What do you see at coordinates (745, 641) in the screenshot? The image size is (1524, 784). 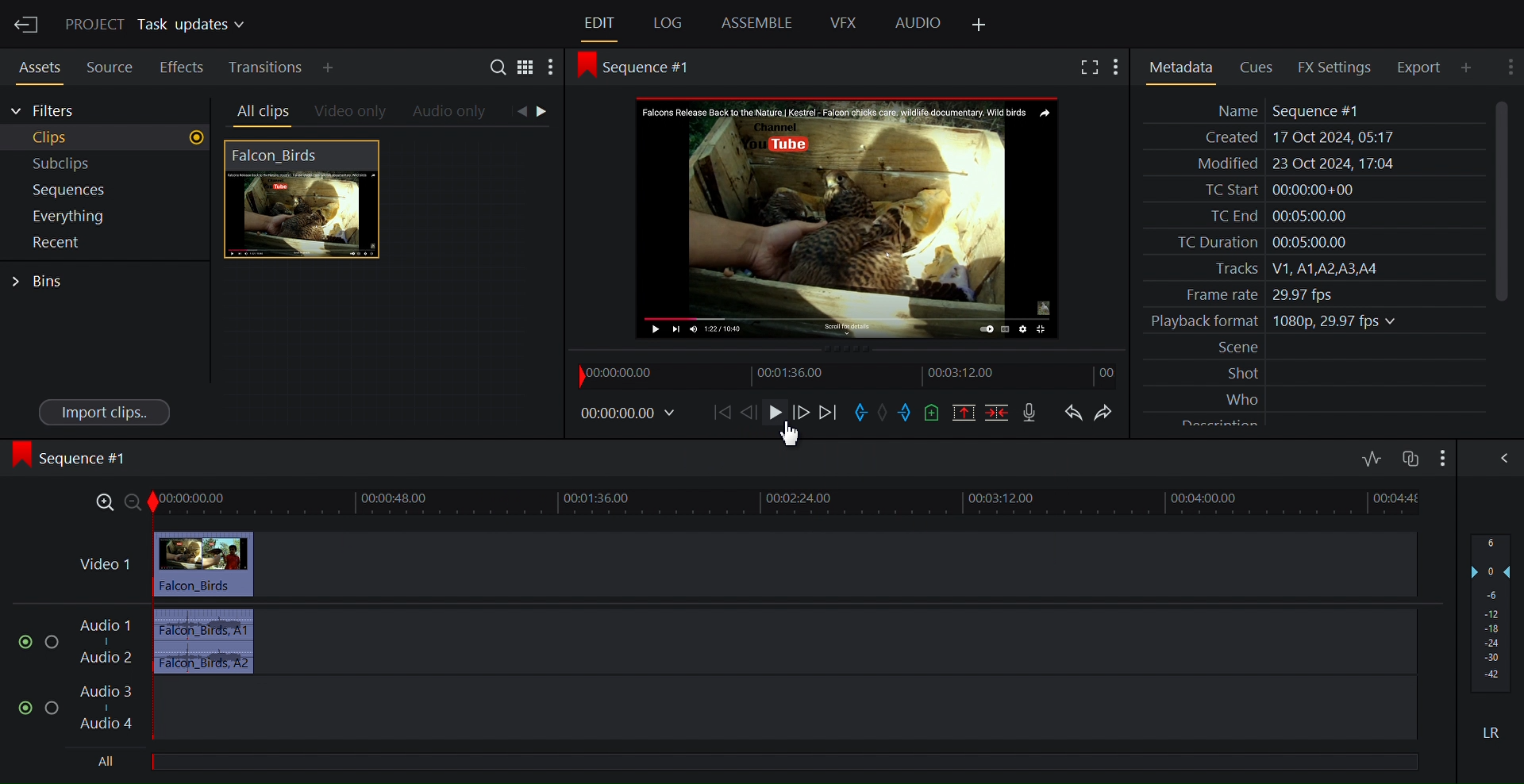 I see `Audio Track 1, Audio Track 2` at bounding box center [745, 641].